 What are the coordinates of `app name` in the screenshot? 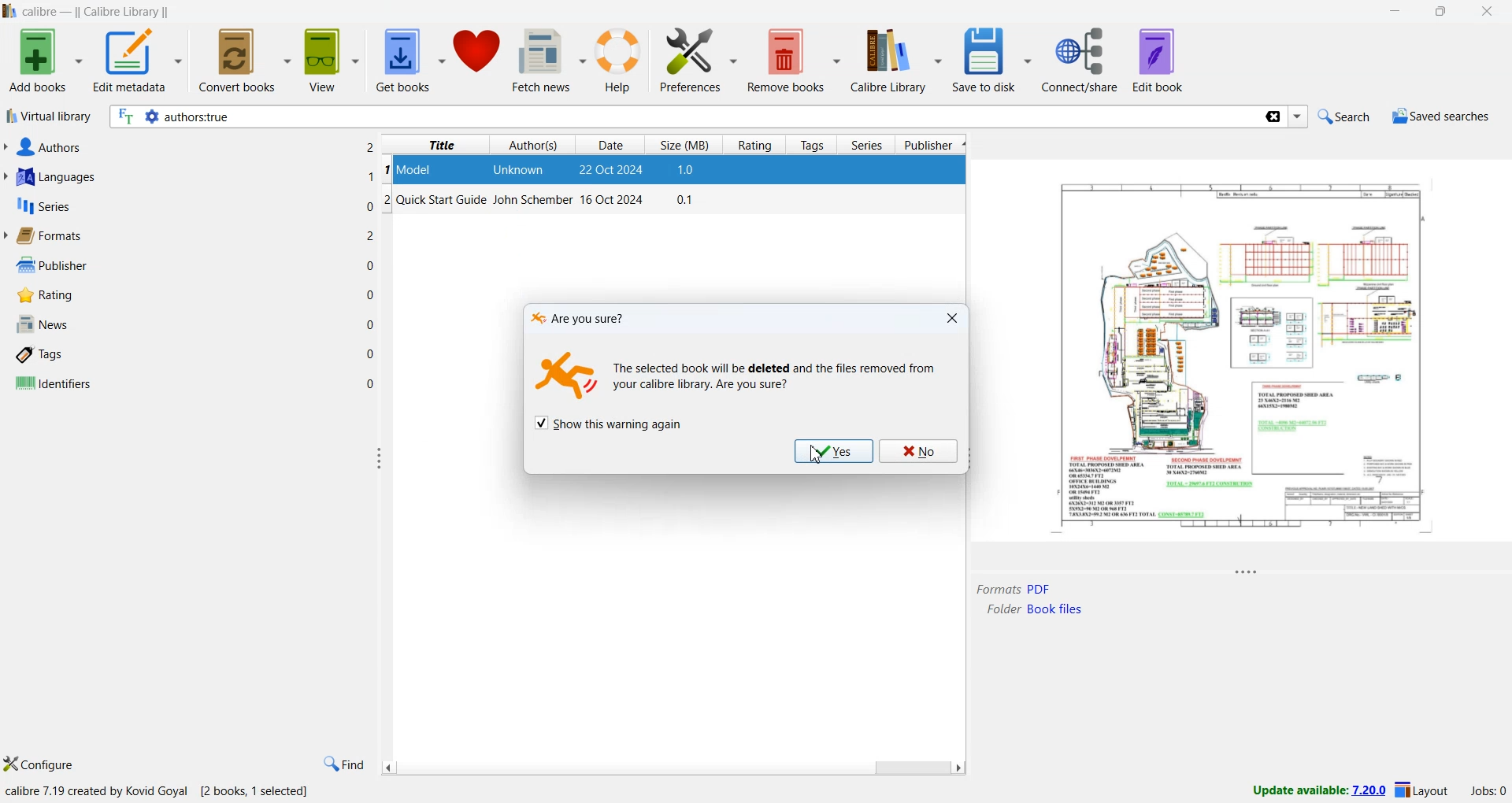 It's located at (42, 12).